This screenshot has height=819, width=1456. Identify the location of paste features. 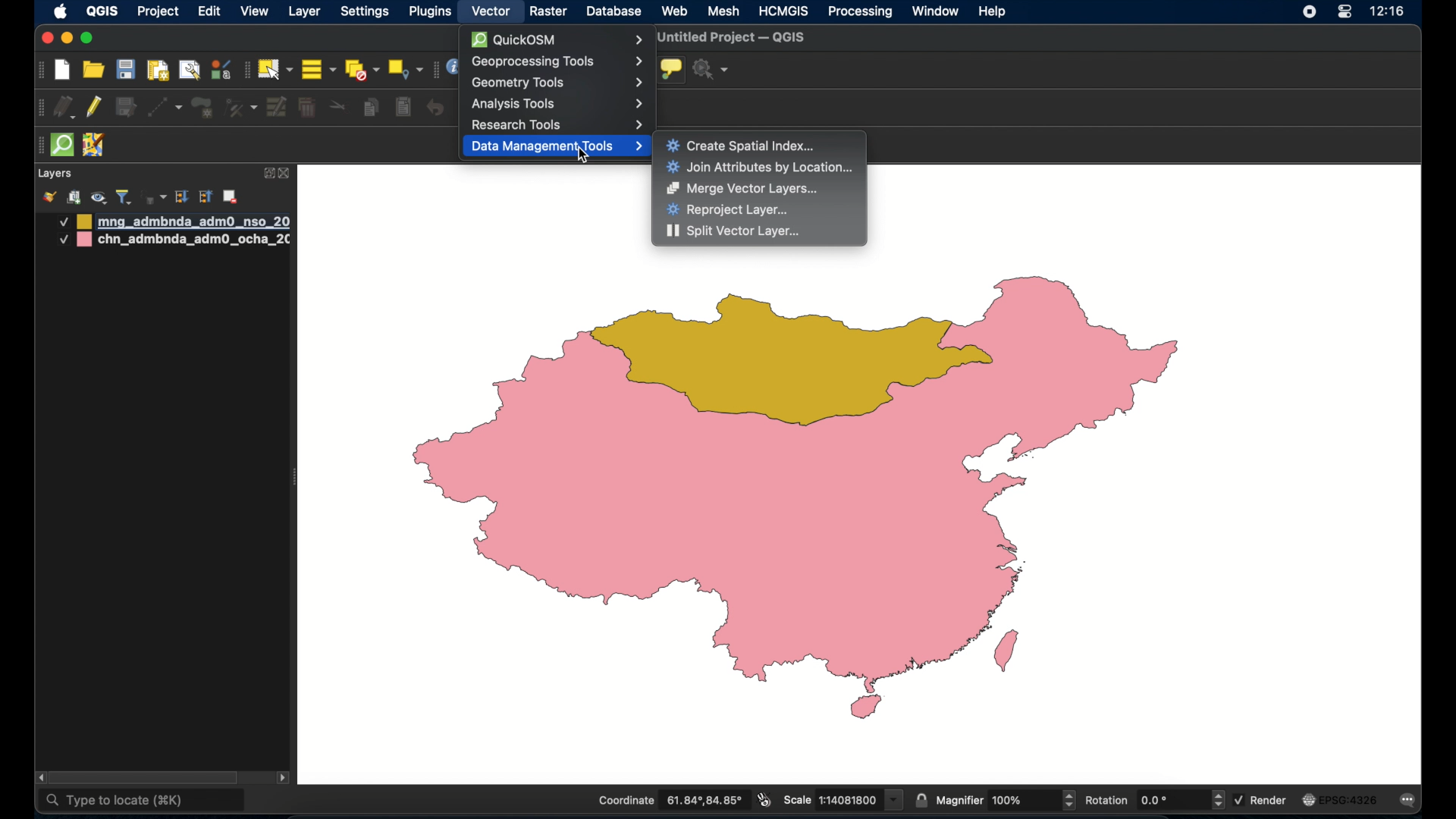
(402, 106).